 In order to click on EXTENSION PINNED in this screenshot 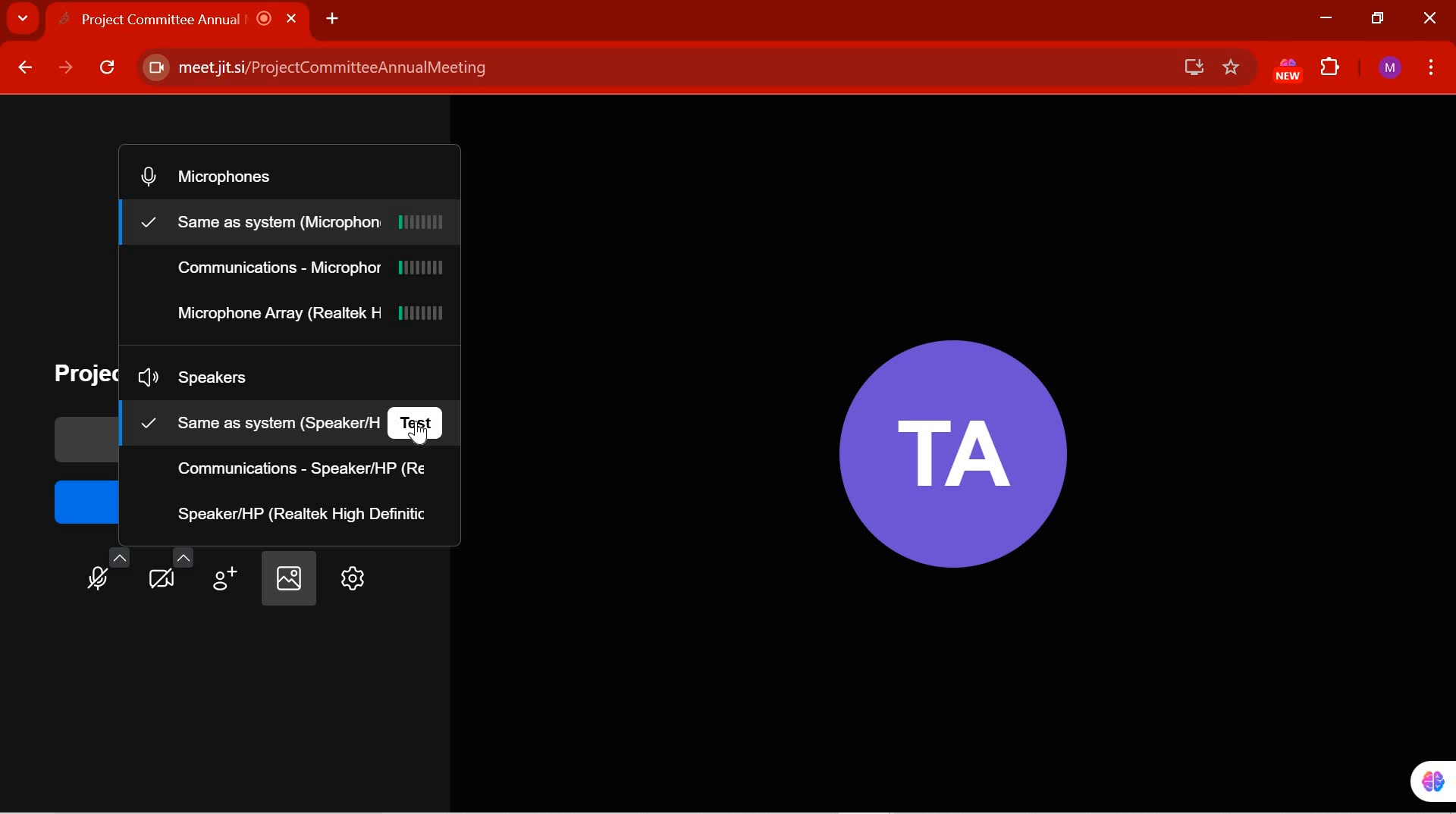, I will do `click(1283, 70)`.